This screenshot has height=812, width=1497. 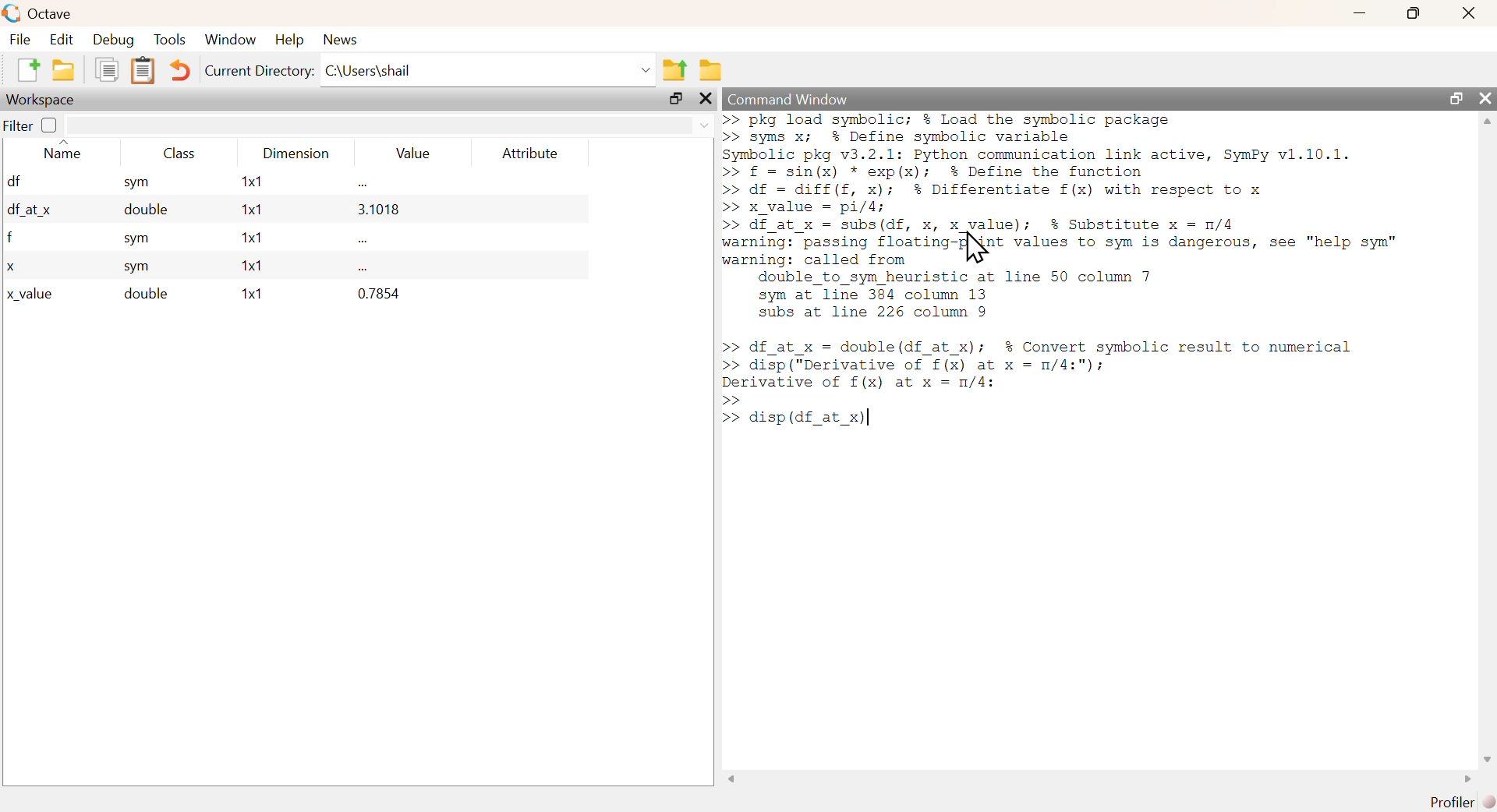 I want to click on close, so click(x=1485, y=97).